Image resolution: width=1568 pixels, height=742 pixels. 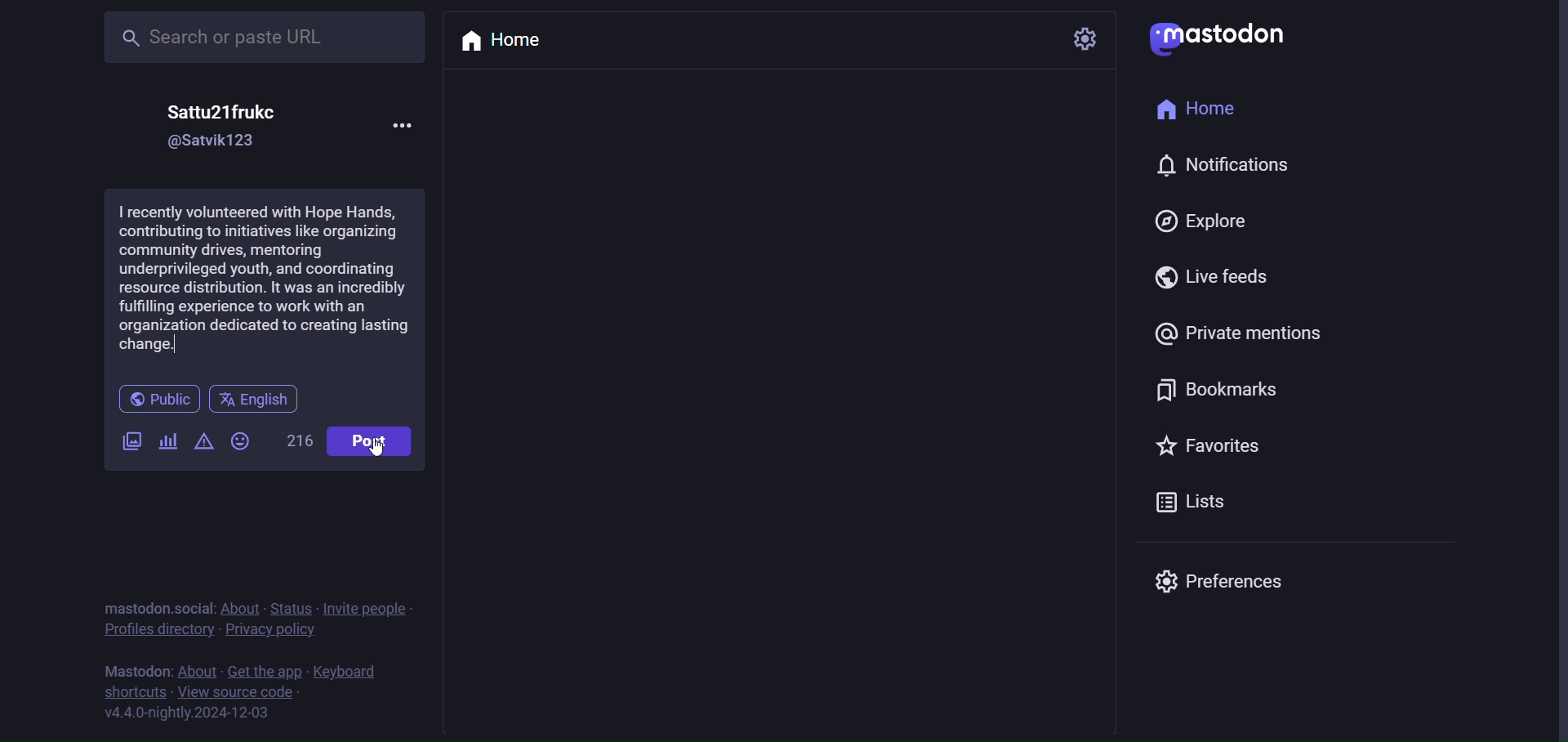 I want to click on mastodon, so click(x=136, y=670).